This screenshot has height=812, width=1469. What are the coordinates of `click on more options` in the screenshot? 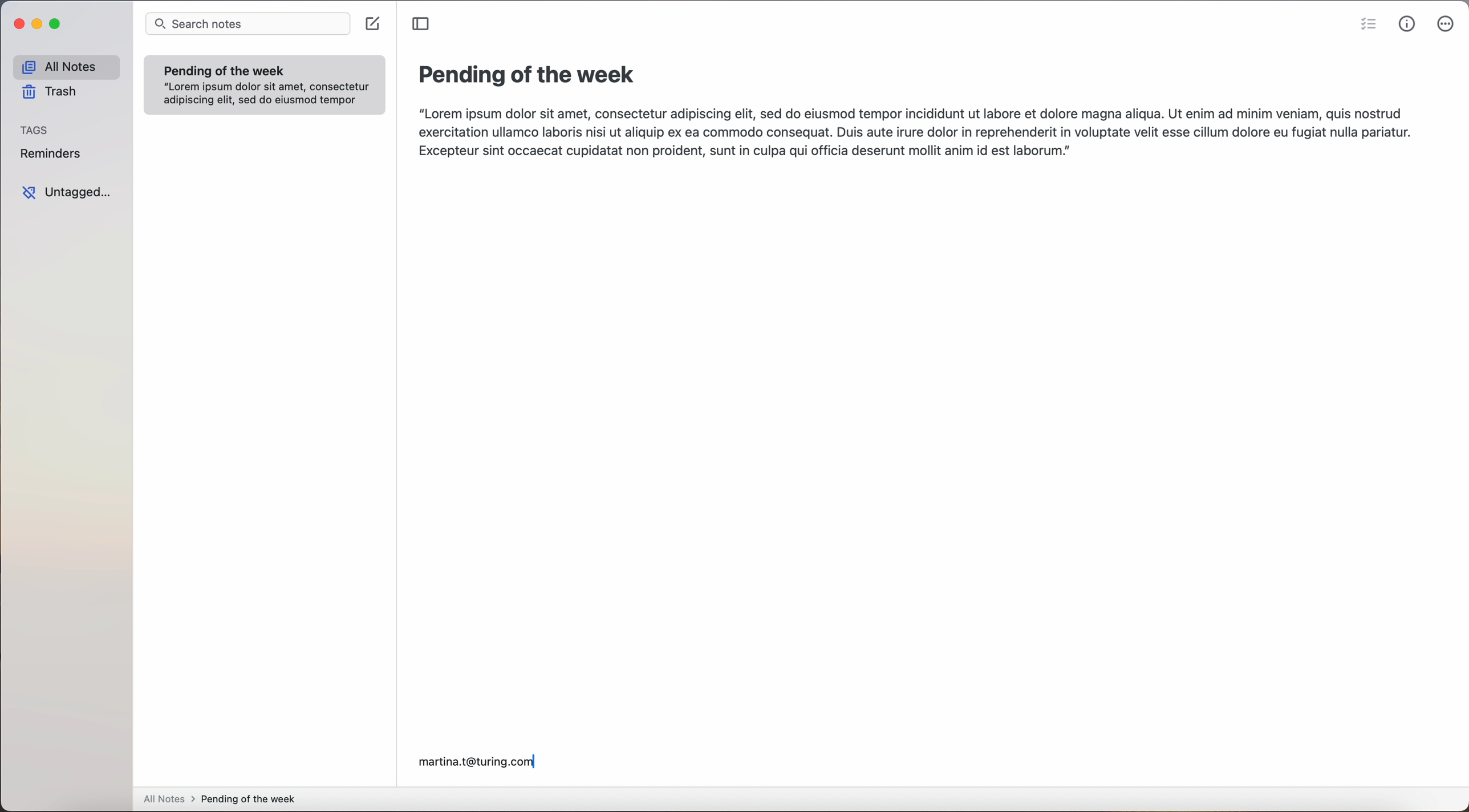 It's located at (1447, 25).